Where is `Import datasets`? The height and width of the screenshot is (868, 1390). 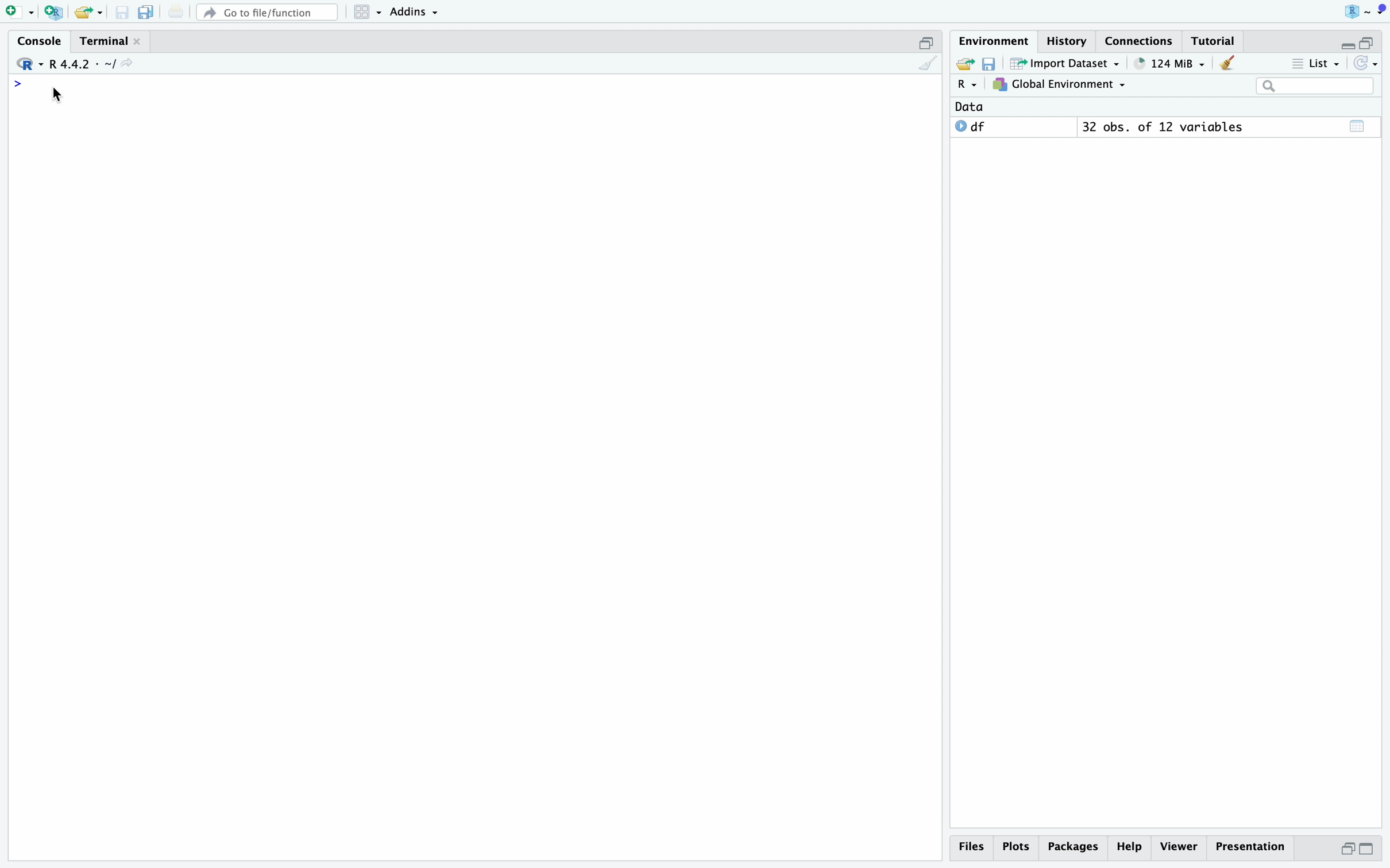 Import datasets is located at coordinates (1066, 63).